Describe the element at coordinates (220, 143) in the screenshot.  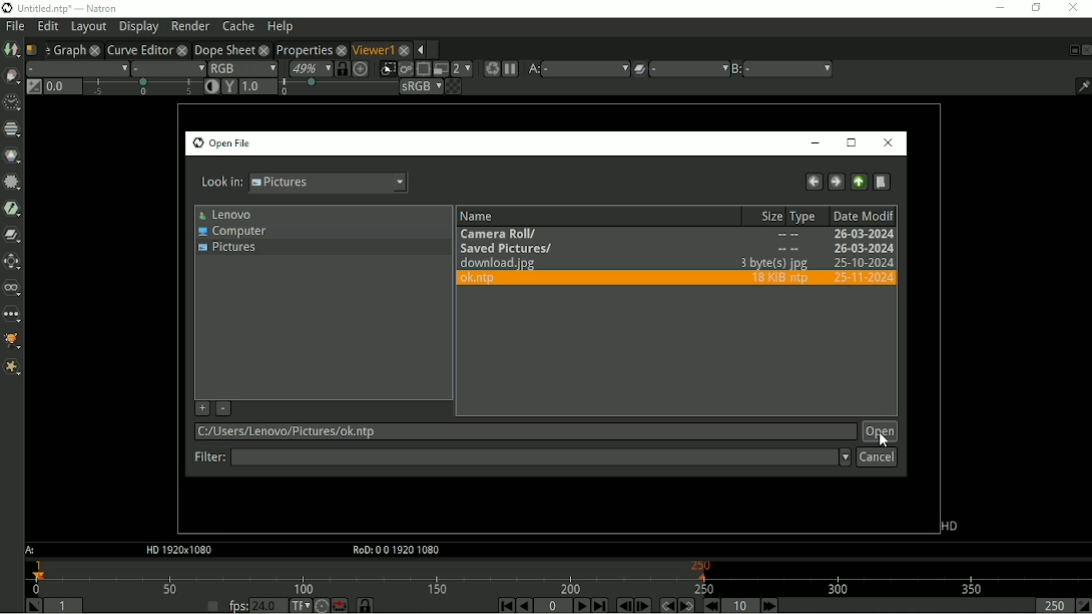
I see `Open File` at that location.